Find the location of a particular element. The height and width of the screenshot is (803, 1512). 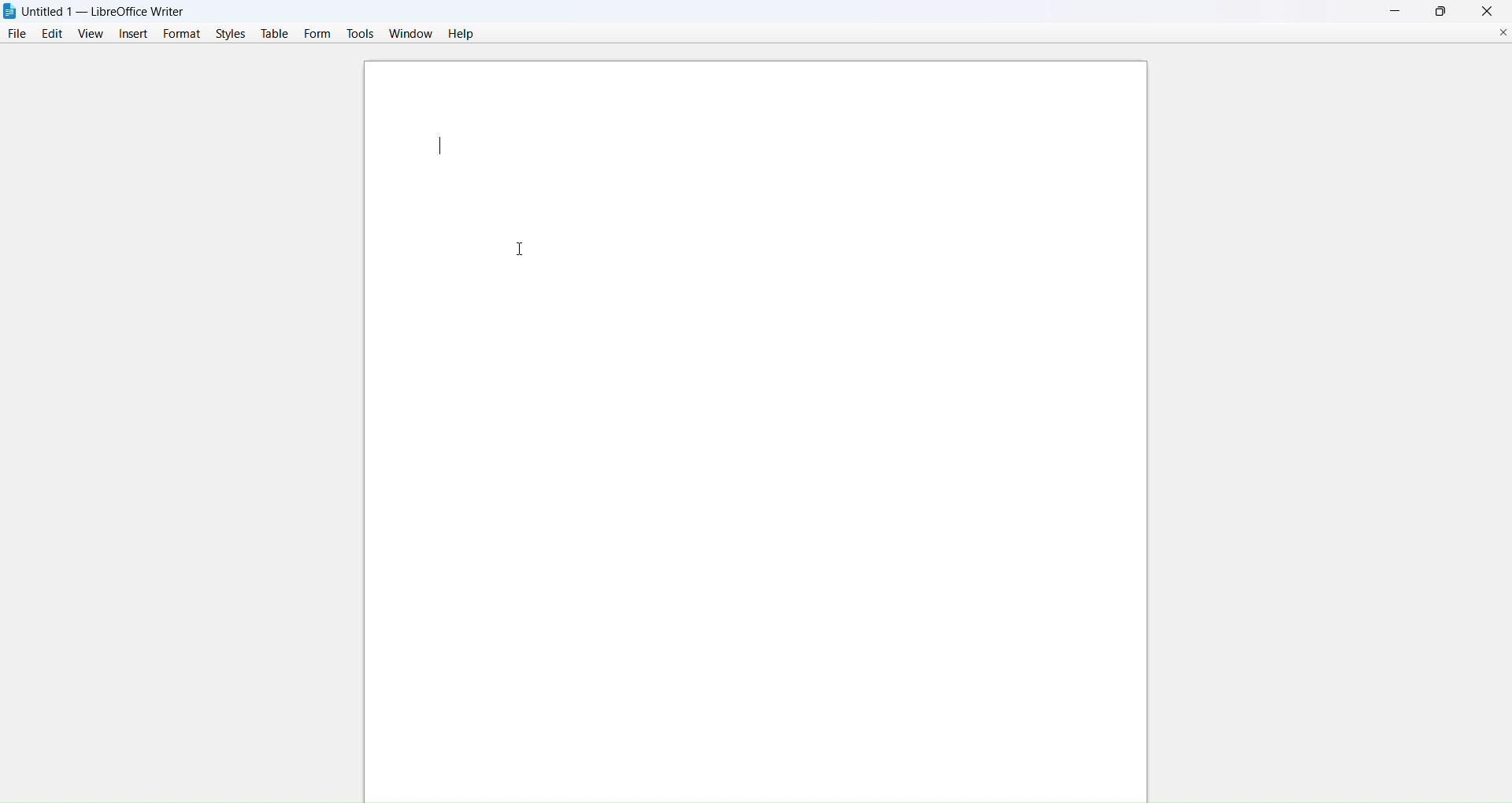

form is located at coordinates (319, 33).